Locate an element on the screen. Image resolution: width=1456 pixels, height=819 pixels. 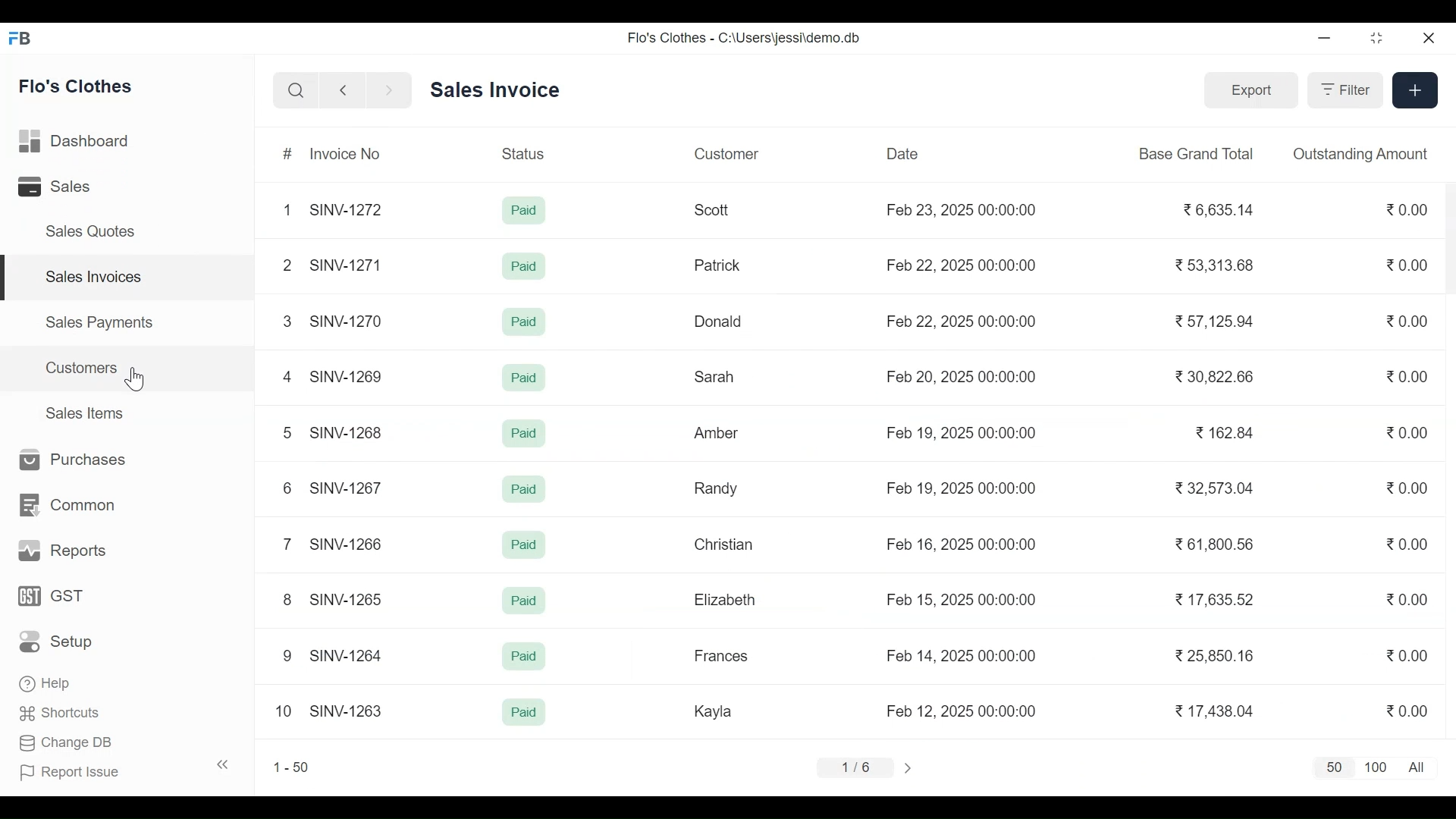
17.635.52 is located at coordinates (1216, 598).